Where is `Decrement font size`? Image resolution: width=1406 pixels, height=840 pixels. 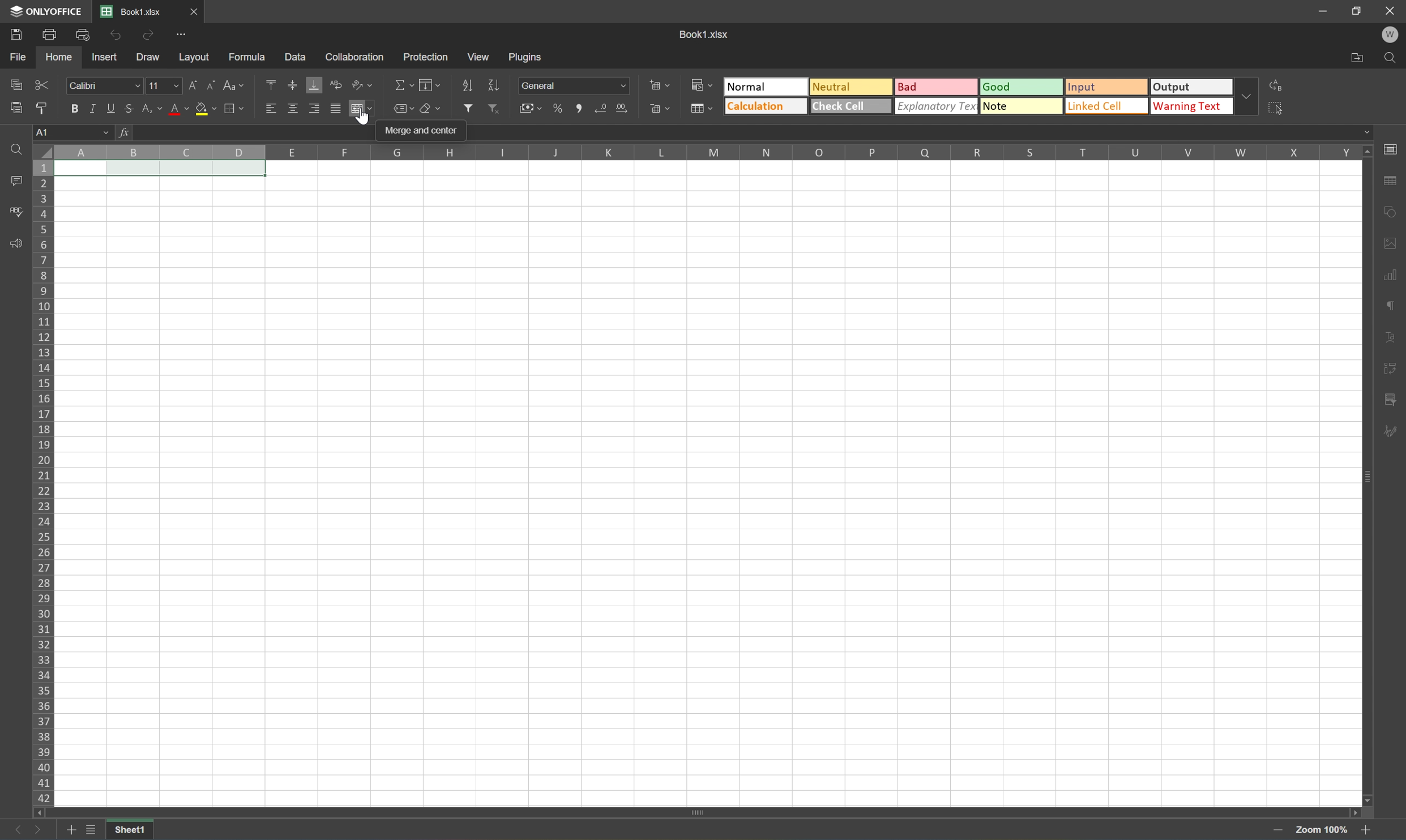 Decrement font size is located at coordinates (212, 87).